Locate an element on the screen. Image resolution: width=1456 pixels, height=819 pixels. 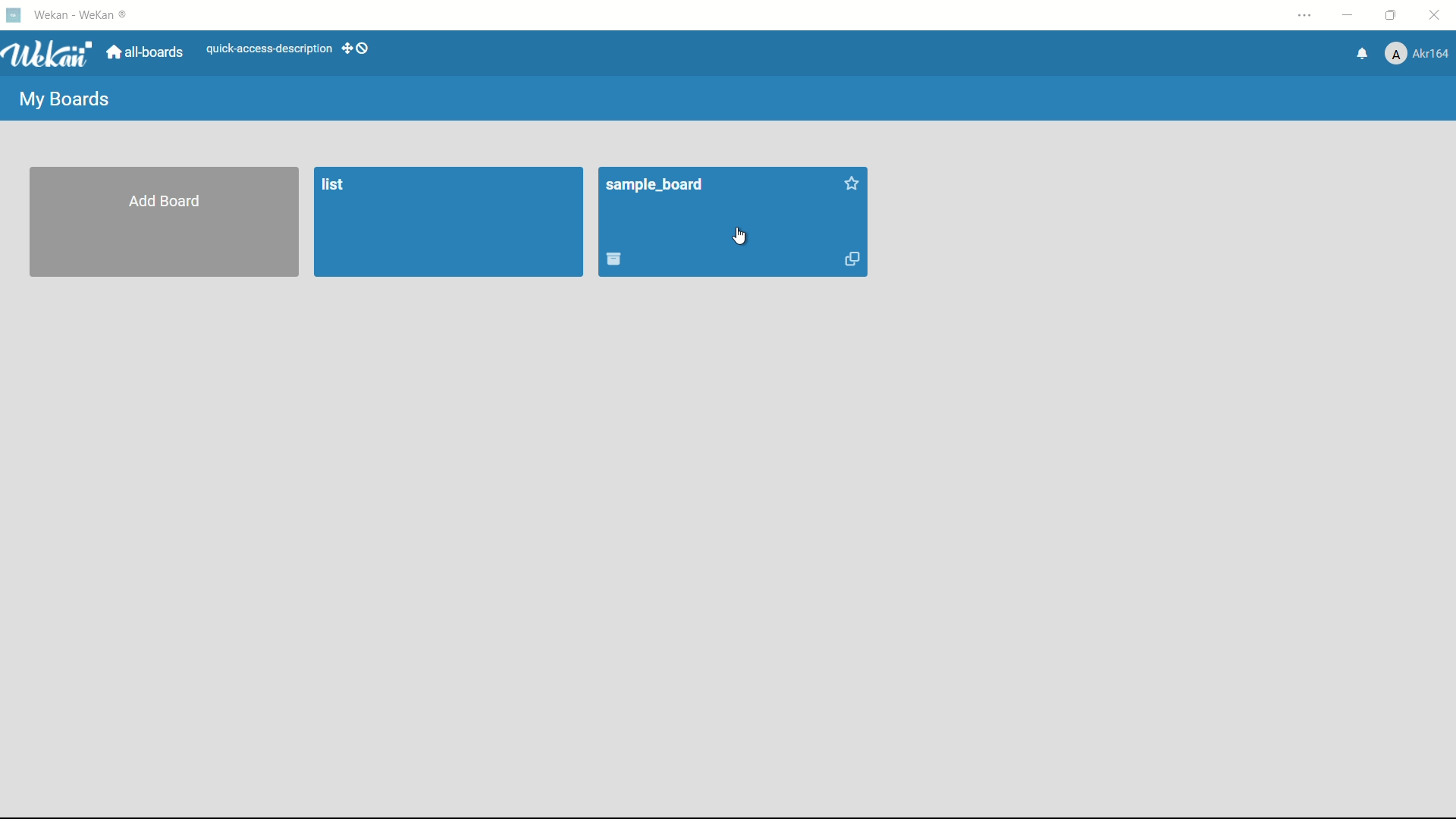
profile is located at coordinates (1416, 54).